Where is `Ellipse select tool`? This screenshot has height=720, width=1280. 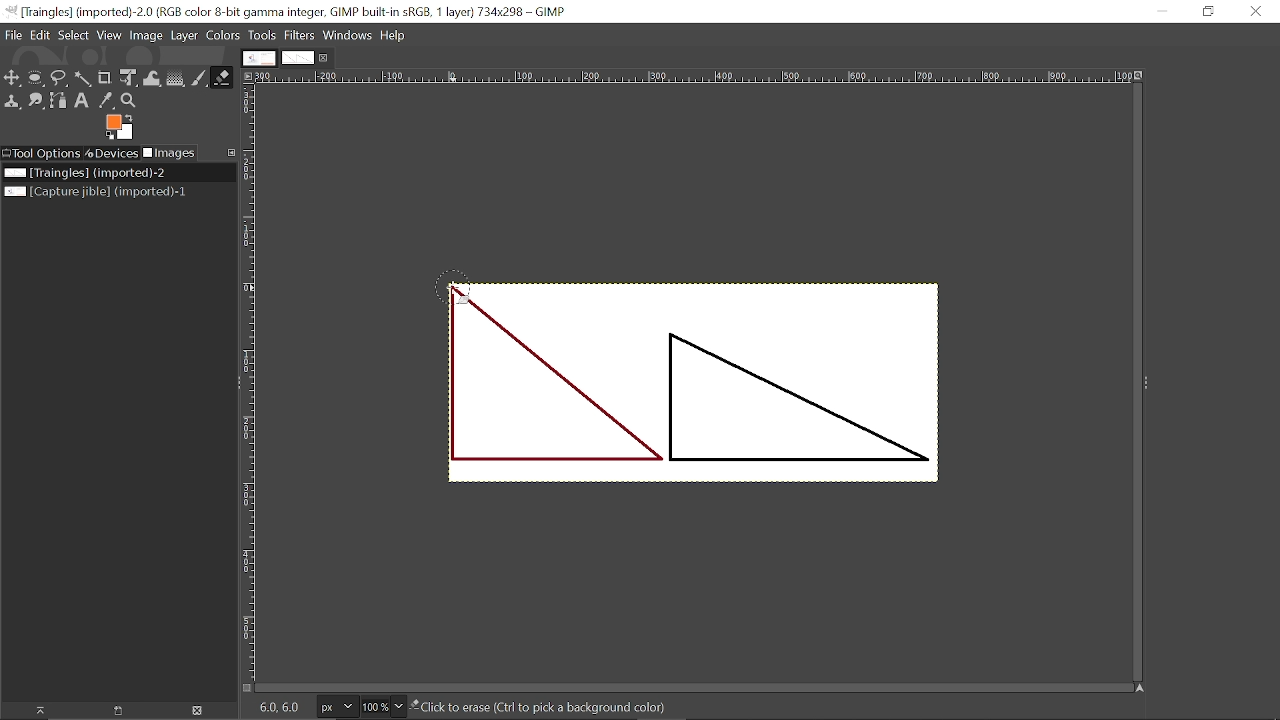
Ellipse select tool is located at coordinates (35, 78).